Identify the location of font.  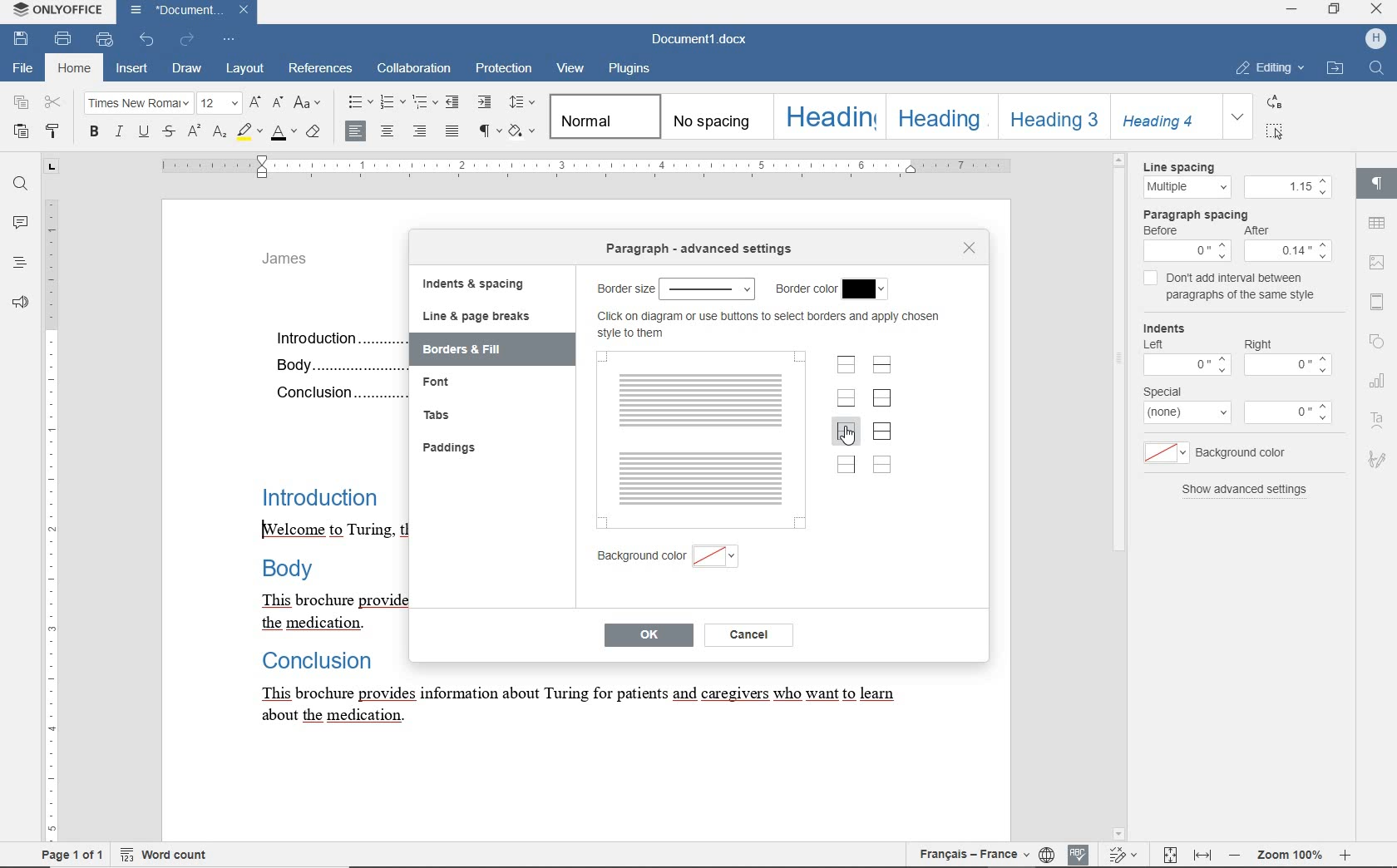
(453, 382).